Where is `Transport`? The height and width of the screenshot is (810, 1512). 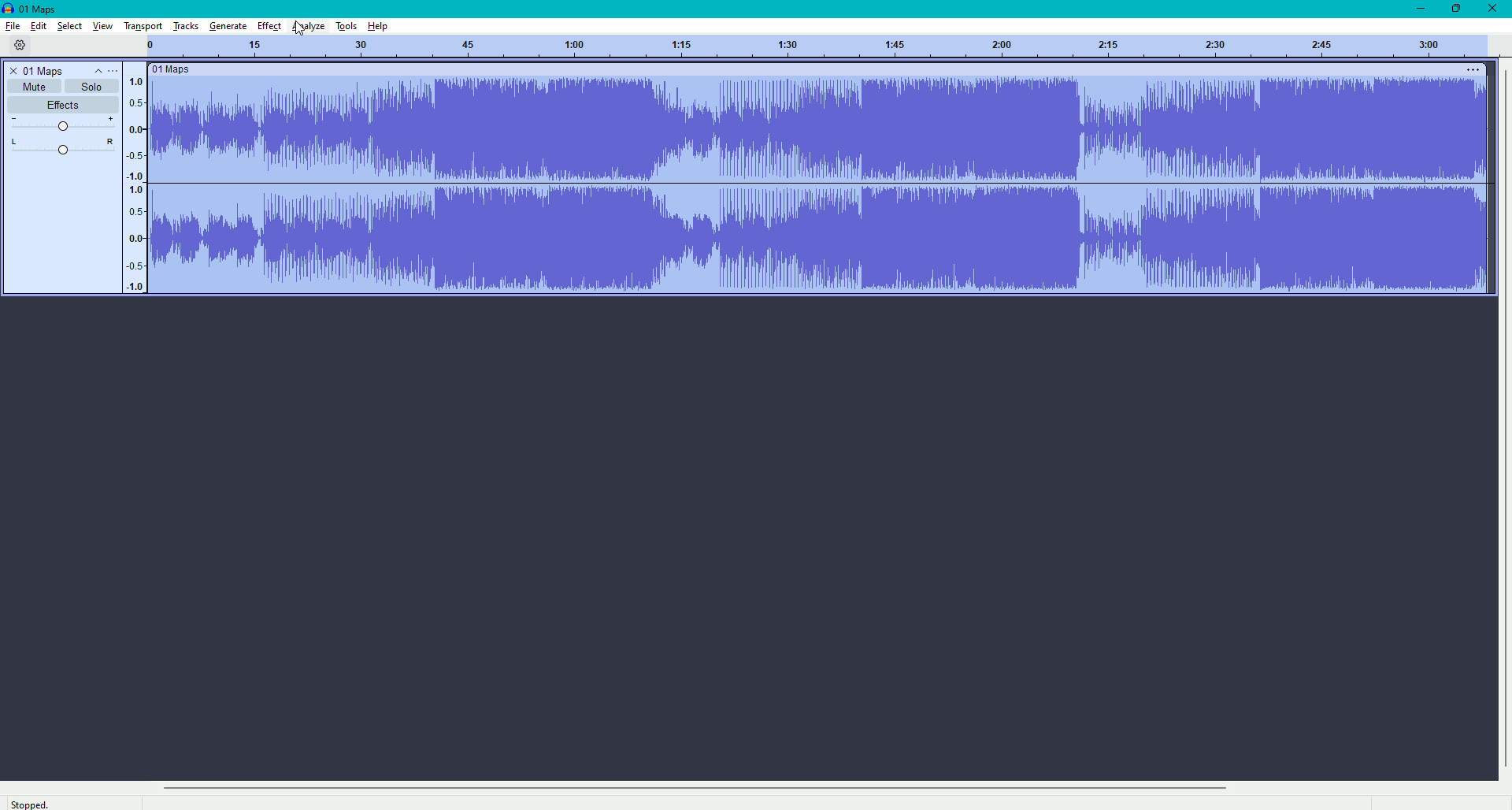
Transport is located at coordinates (140, 25).